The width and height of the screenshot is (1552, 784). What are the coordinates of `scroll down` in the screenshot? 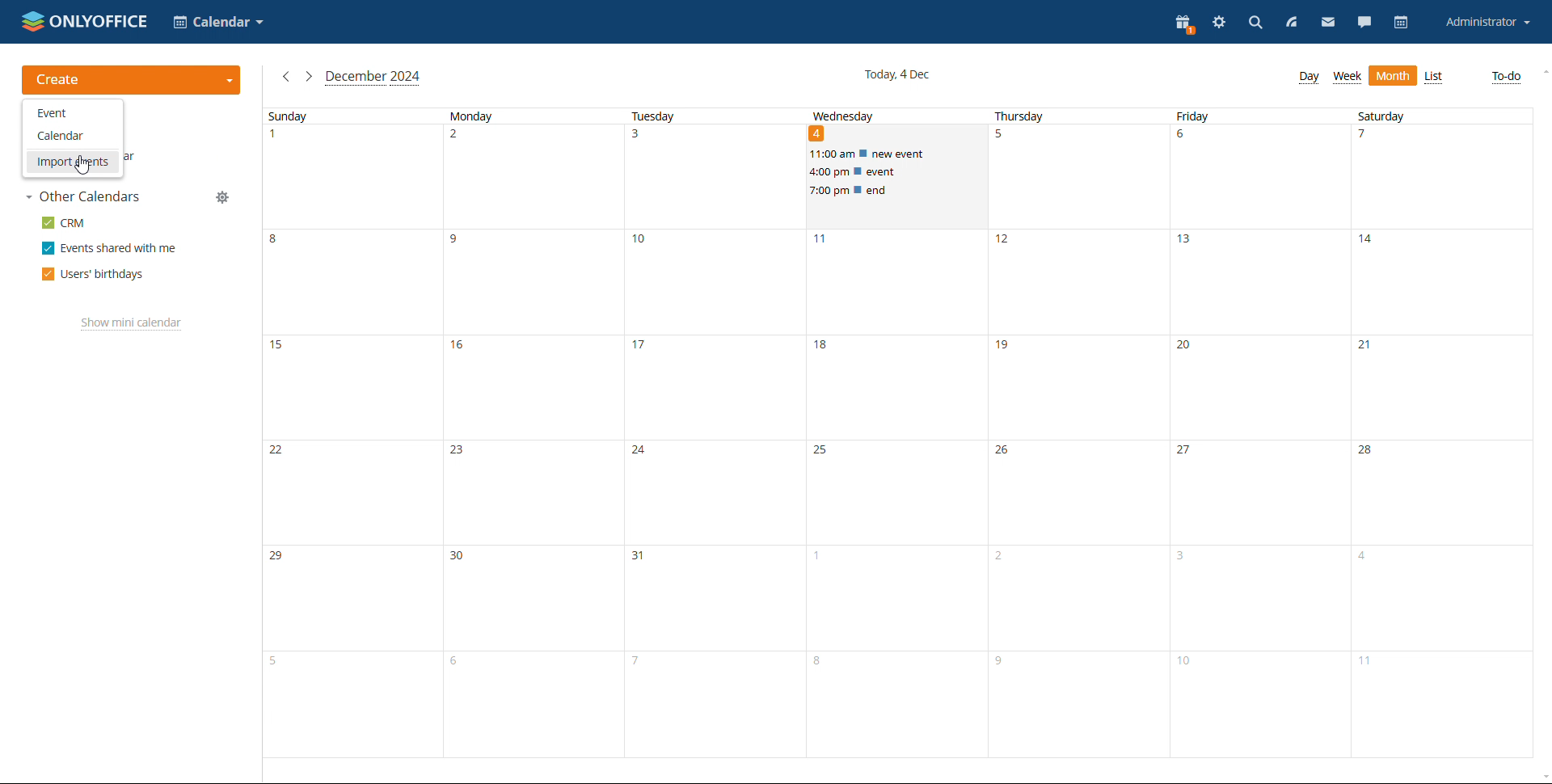 It's located at (1542, 776).